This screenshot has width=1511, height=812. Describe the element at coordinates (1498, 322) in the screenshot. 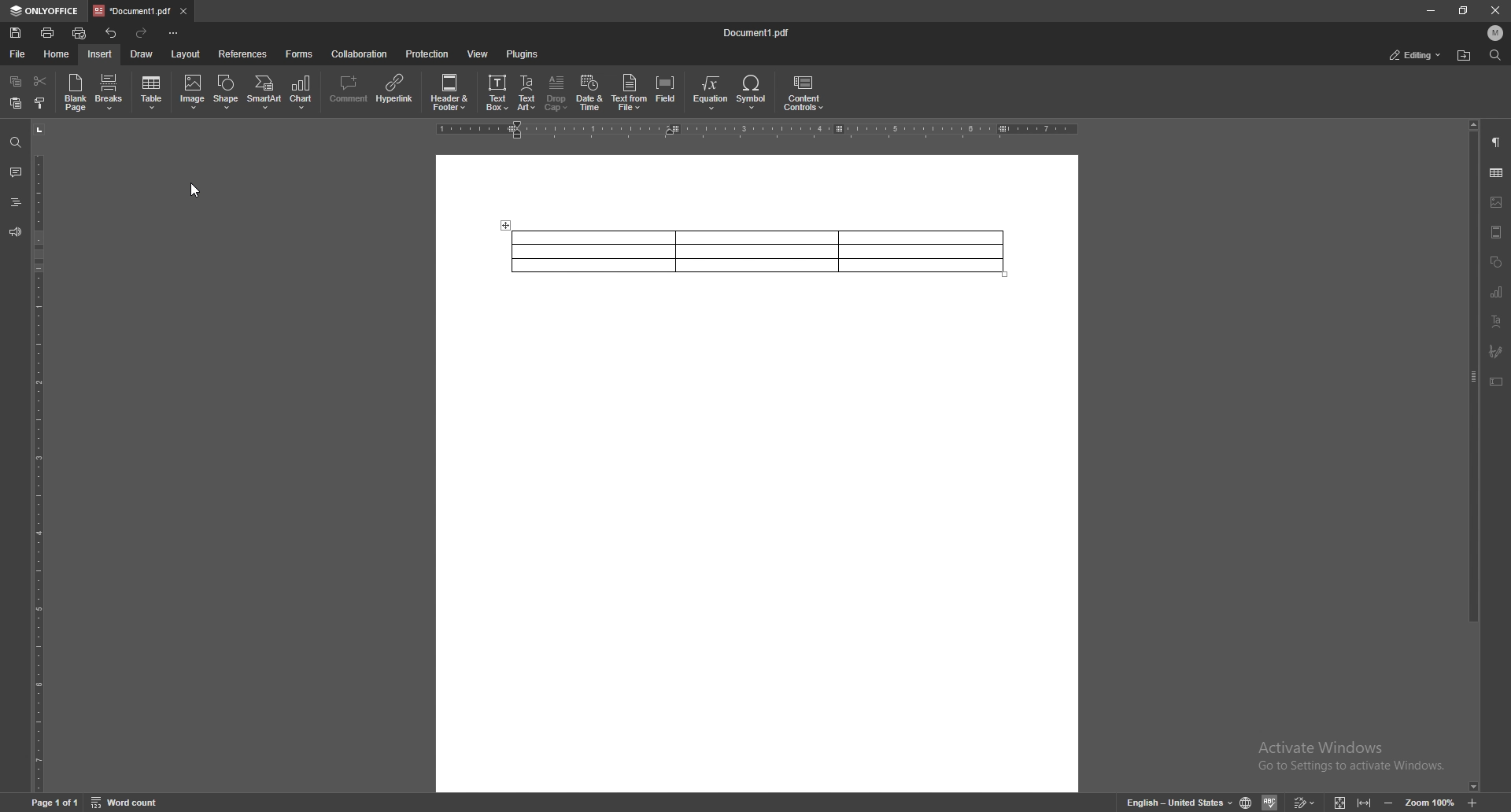

I see `text art` at that location.